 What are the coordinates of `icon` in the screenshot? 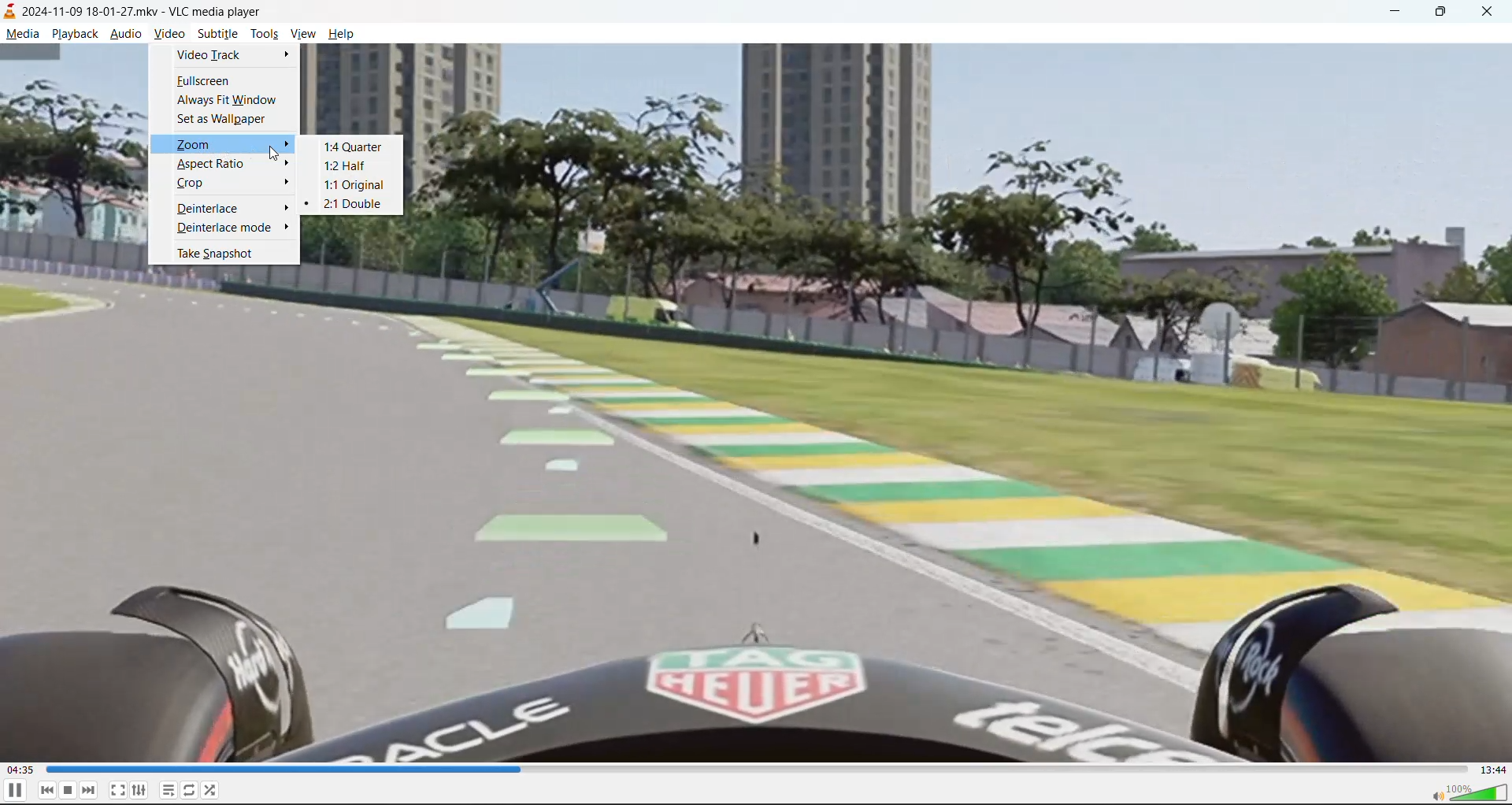 It's located at (10, 10).